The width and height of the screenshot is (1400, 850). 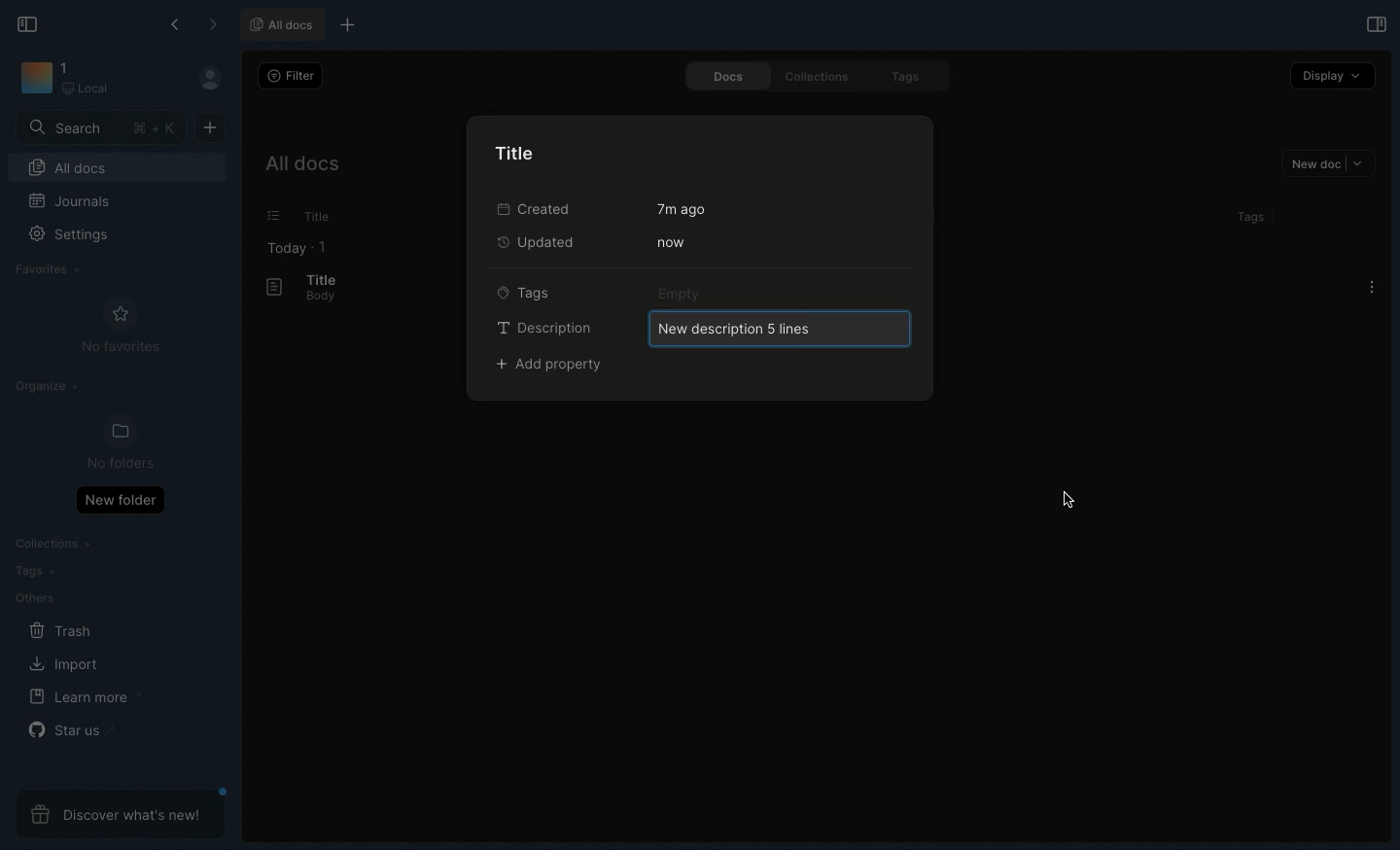 What do you see at coordinates (1374, 23) in the screenshot?
I see `Open right panel` at bounding box center [1374, 23].